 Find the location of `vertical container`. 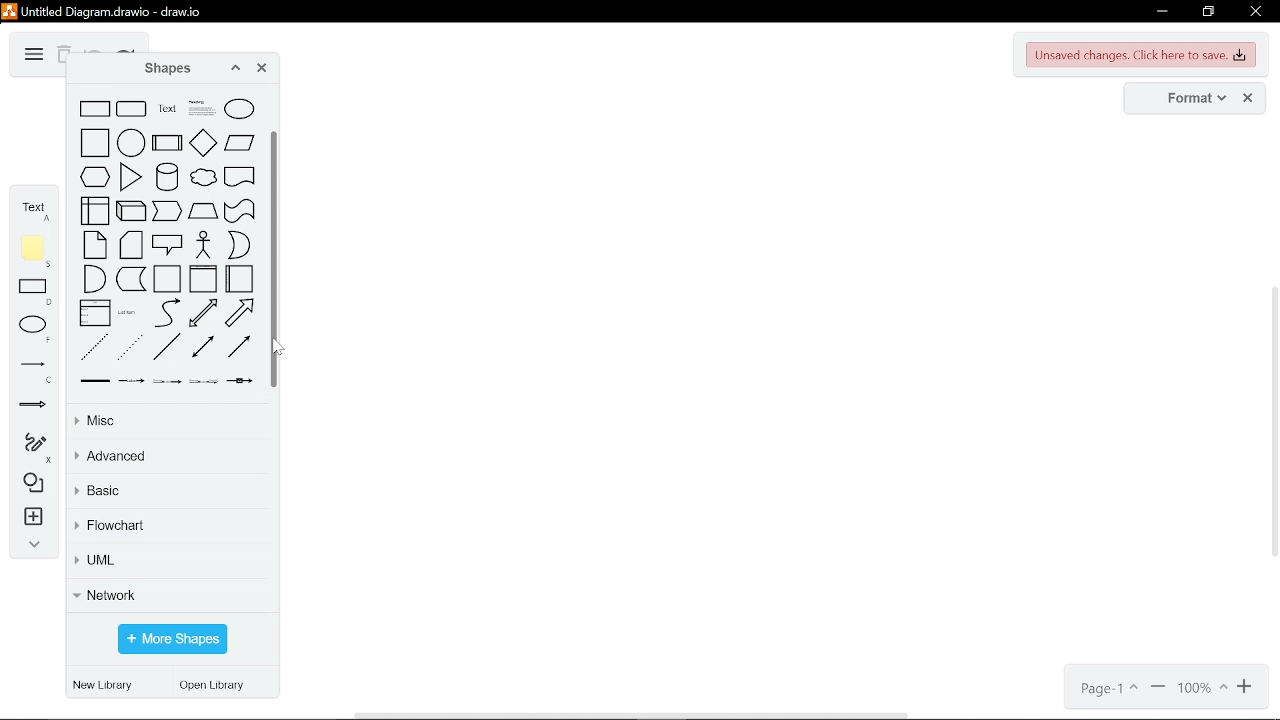

vertical container is located at coordinates (203, 278).